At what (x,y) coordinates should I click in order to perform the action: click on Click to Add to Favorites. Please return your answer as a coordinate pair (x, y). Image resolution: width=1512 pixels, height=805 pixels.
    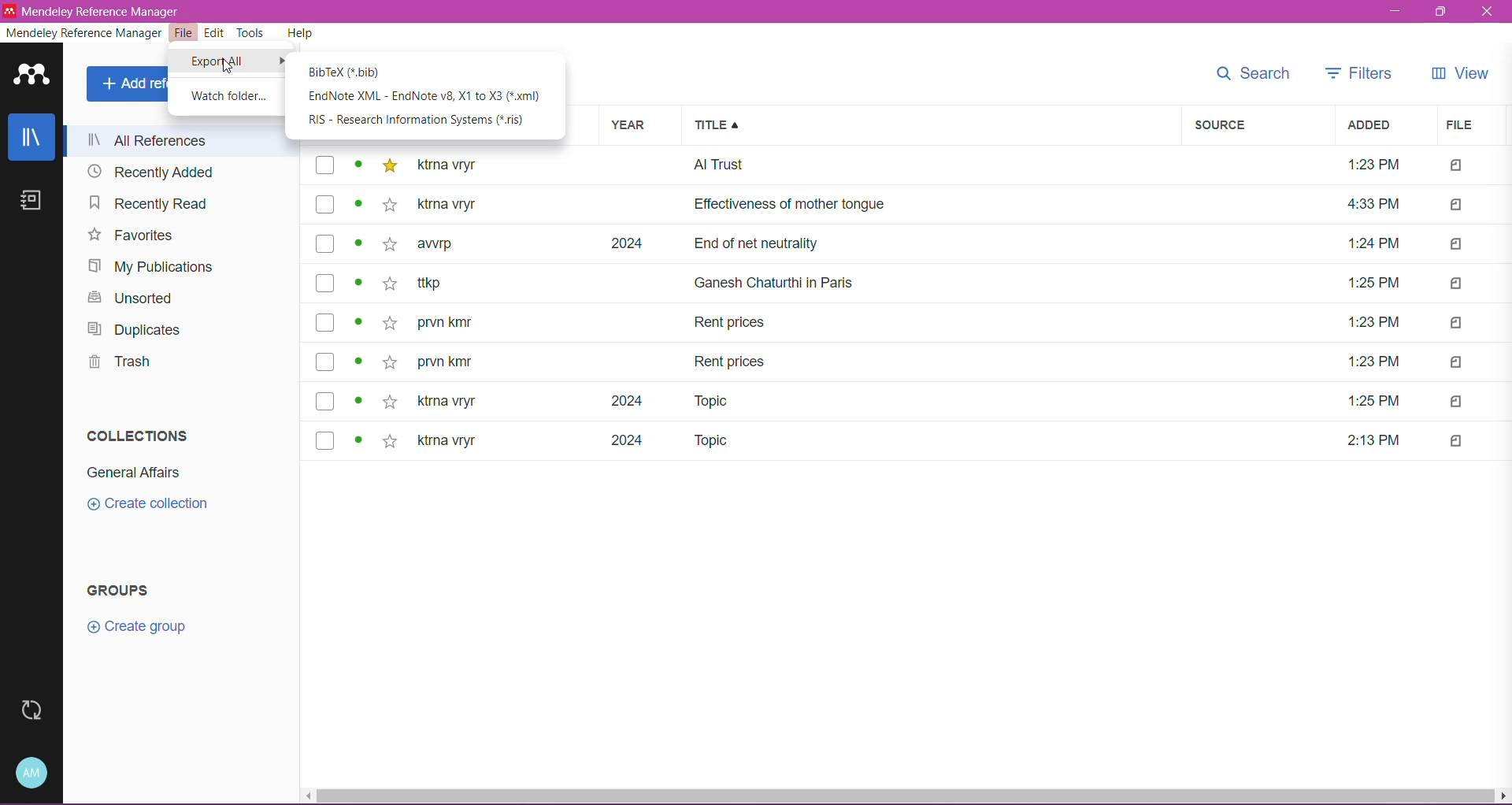
    Looking at the image, I should click on (391, 303).